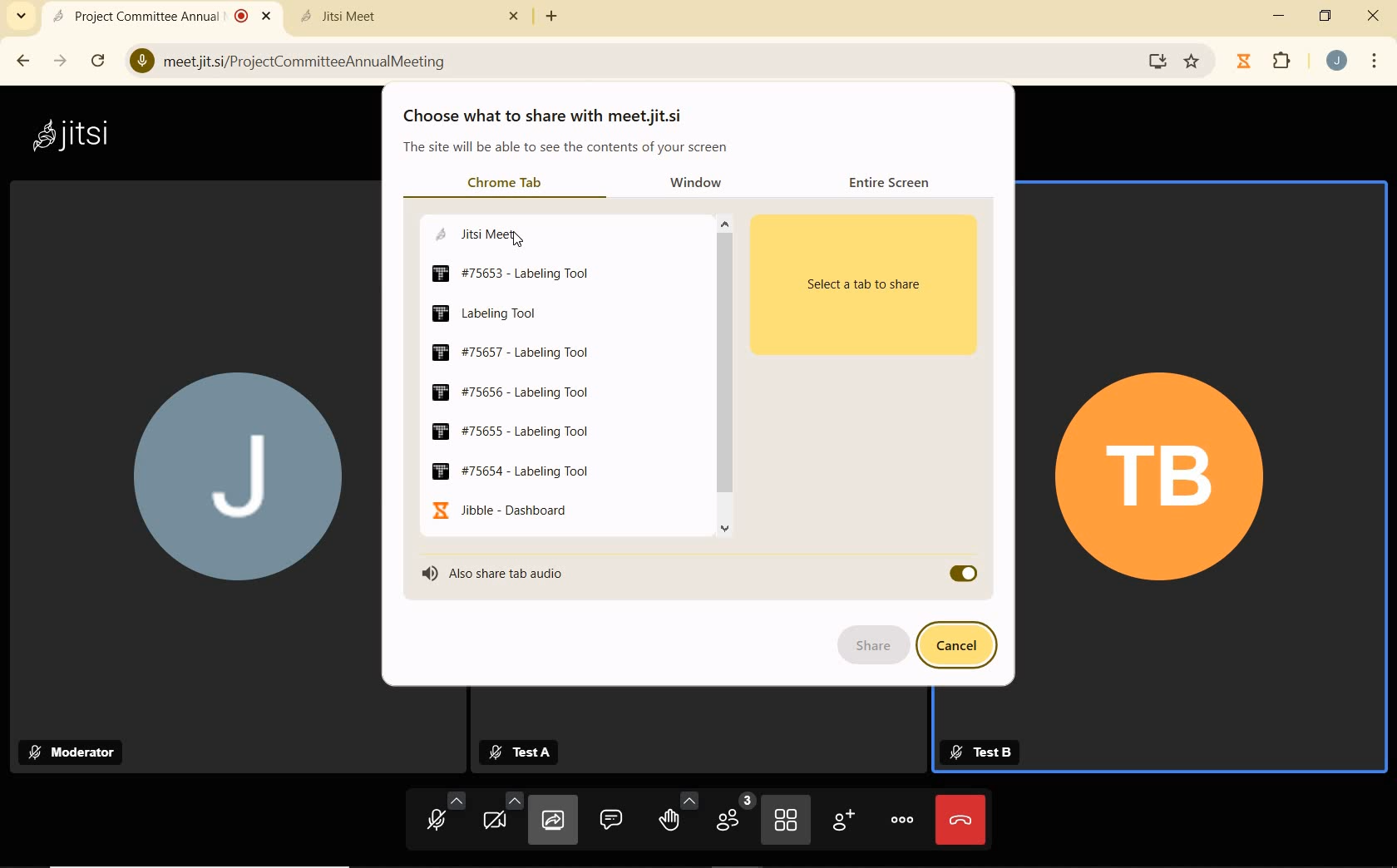  I want to click on CHOOSE WHAT TO SHARE WITH MEET.JIT.SI, so click(552, 116).